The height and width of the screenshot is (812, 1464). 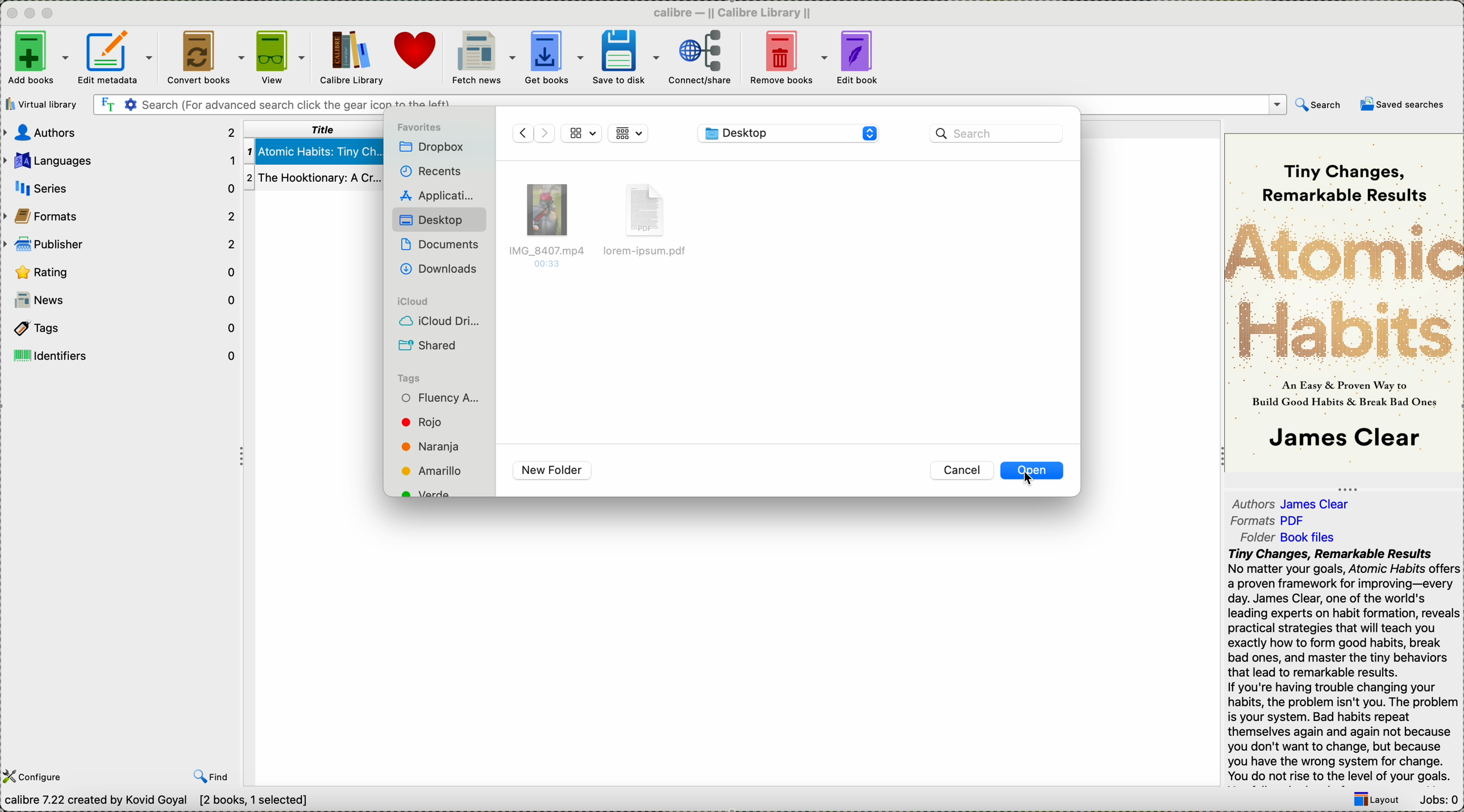 I want to click on Jobs: 0, so click(x=1438, y=797).